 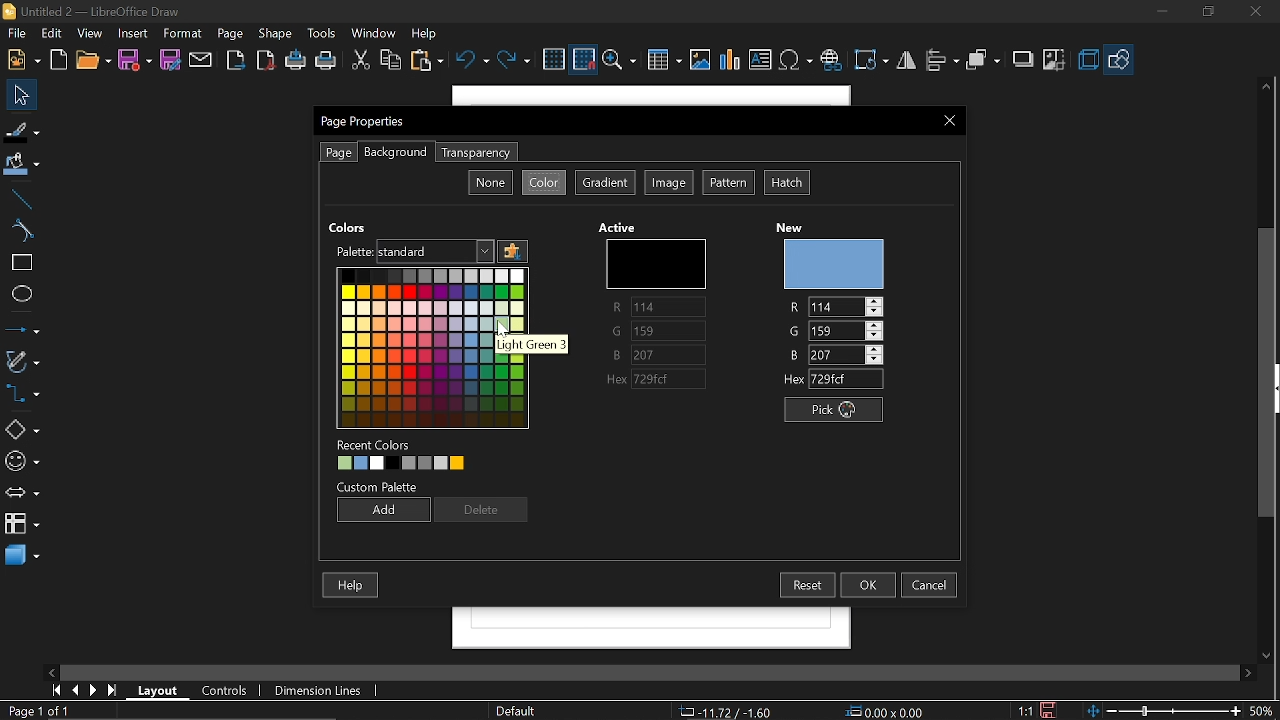 I want to click on Dimension lines, so click(x=314, y=688).